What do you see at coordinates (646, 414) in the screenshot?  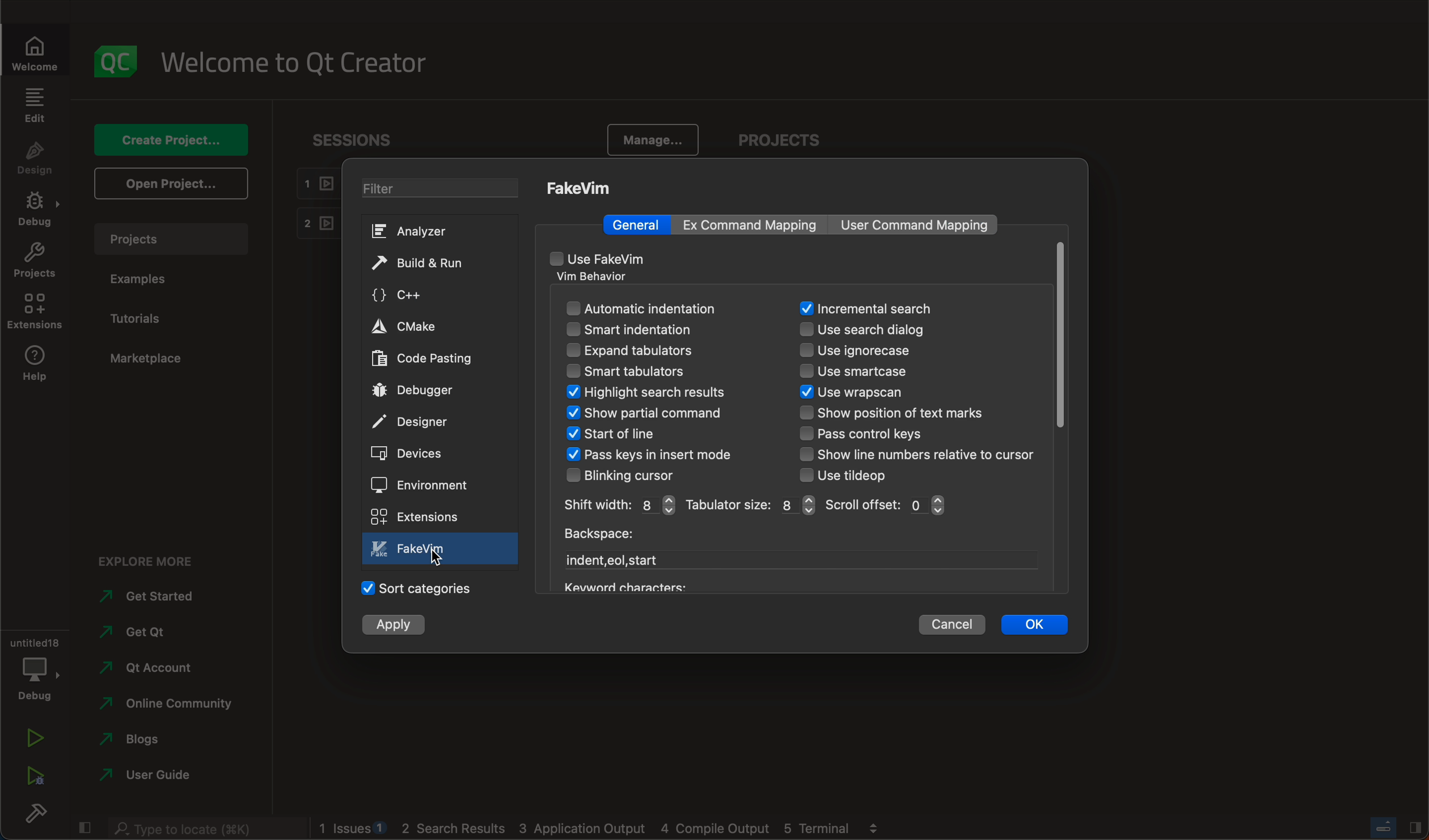 I see `show command` at bounding box center [646, 414].